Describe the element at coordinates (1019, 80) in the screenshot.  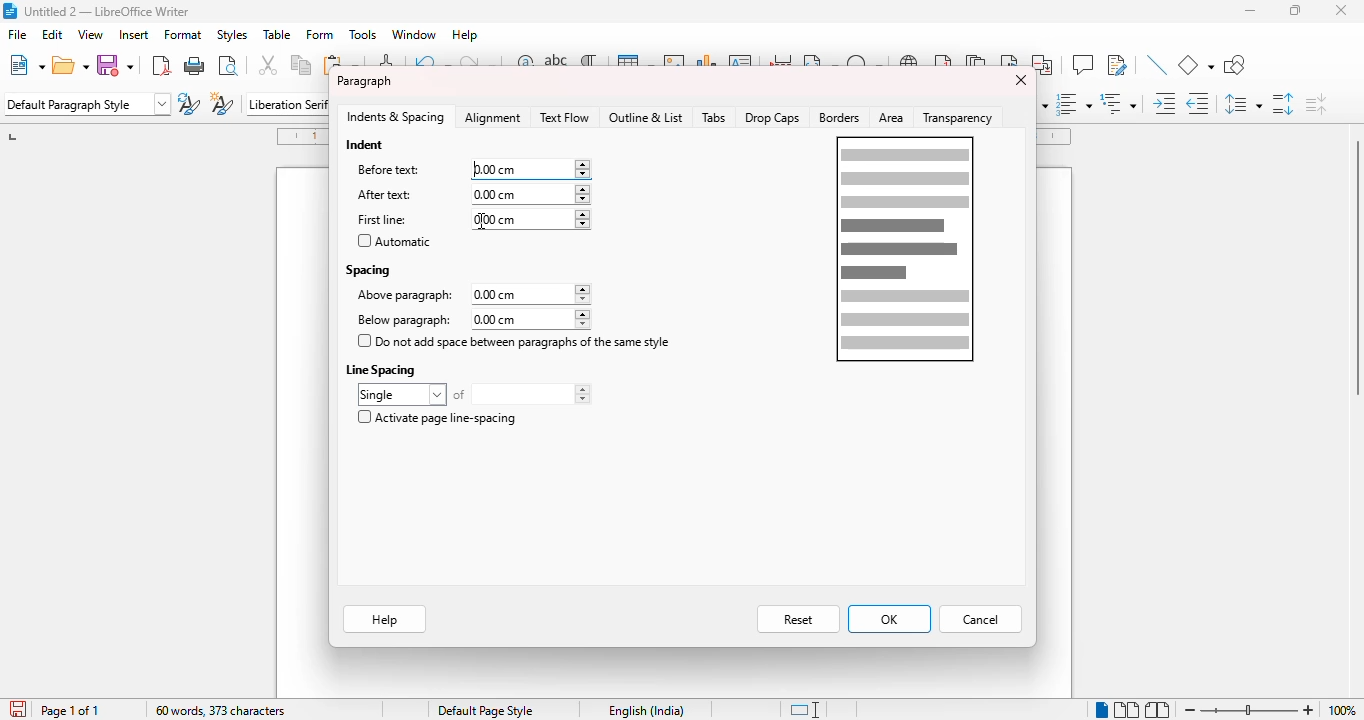
I see `close` at that location.